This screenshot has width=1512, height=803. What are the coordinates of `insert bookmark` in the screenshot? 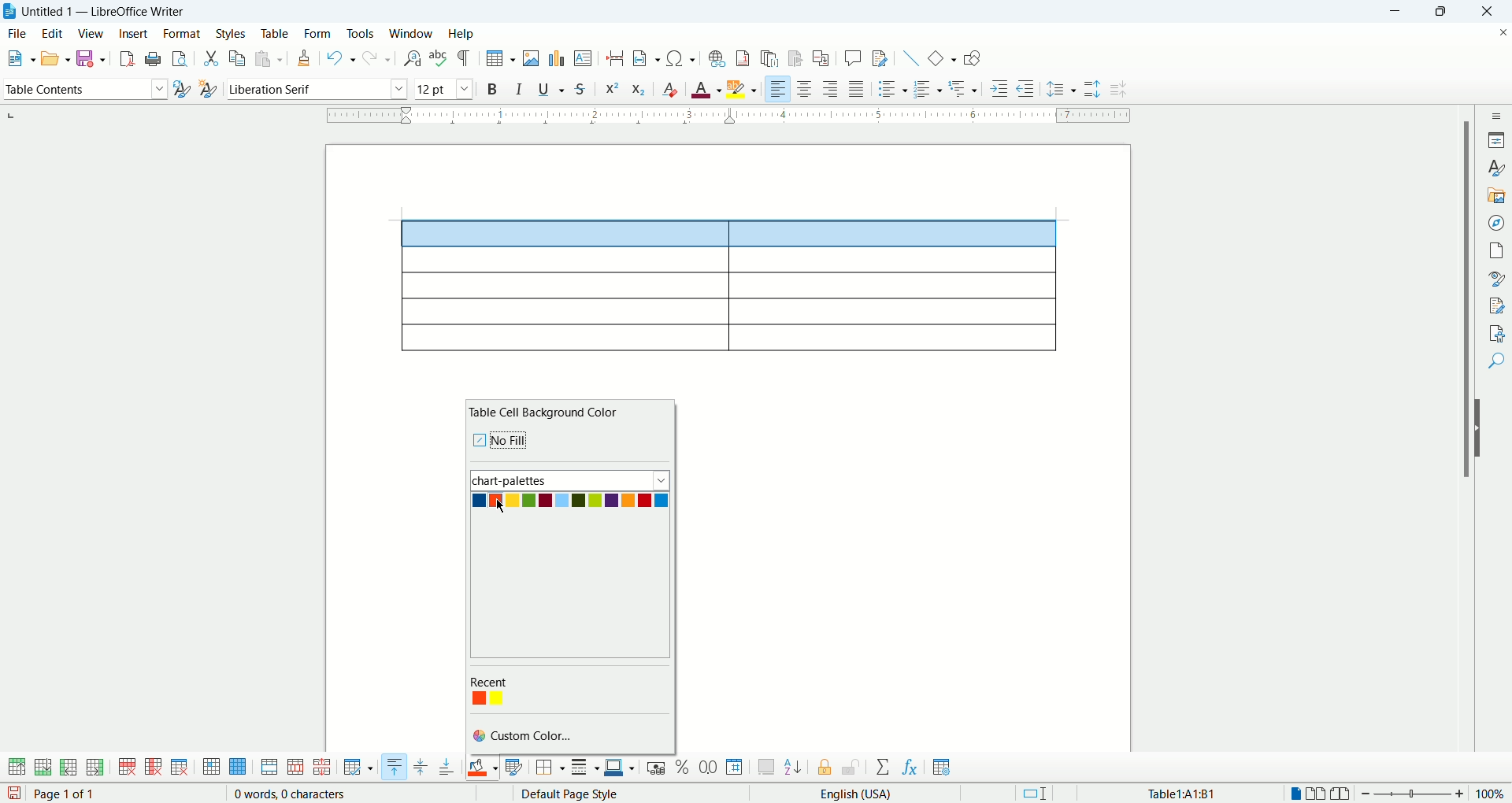 It's located at (796, 59).